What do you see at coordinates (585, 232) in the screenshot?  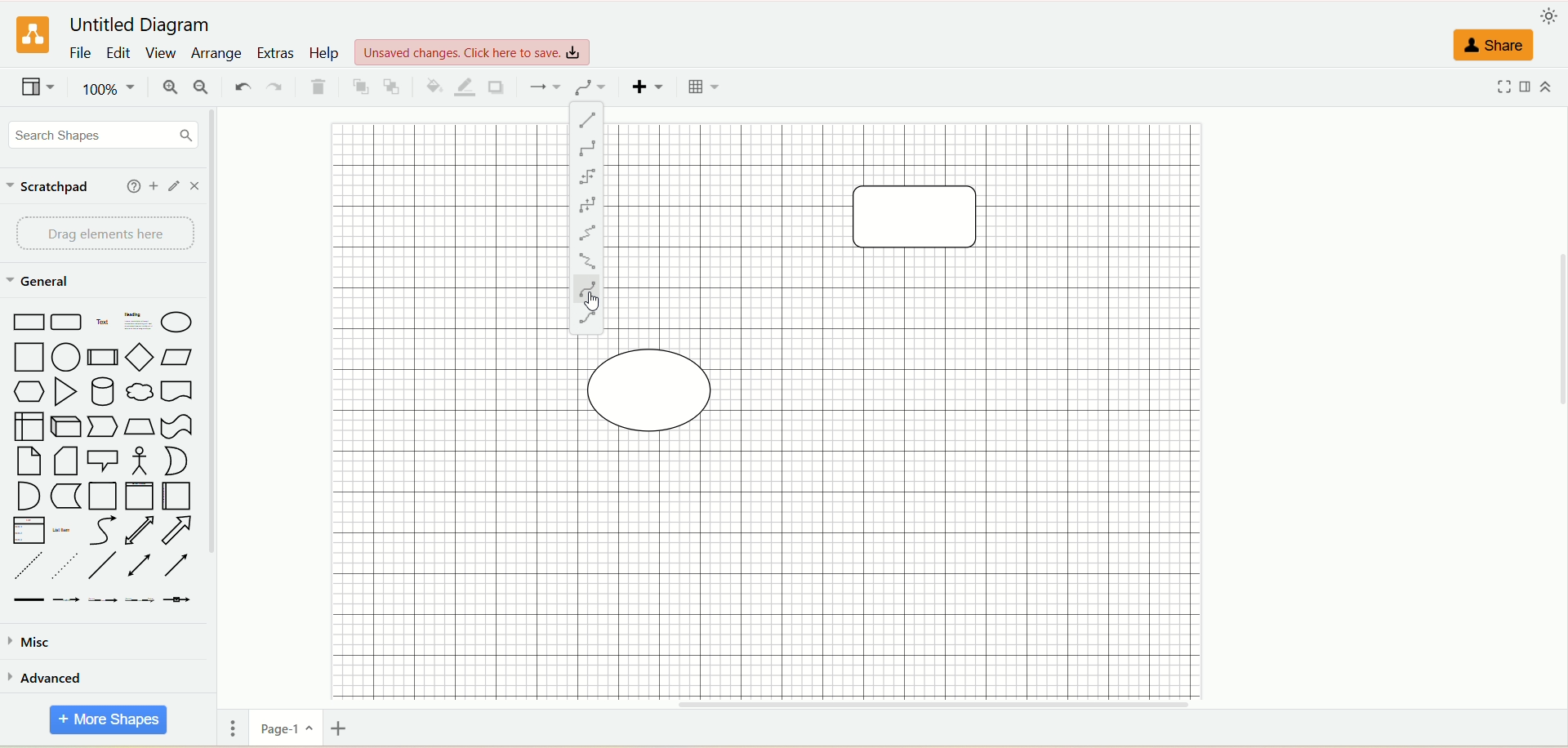 I see `isometric` at bounding box center [585, 232].